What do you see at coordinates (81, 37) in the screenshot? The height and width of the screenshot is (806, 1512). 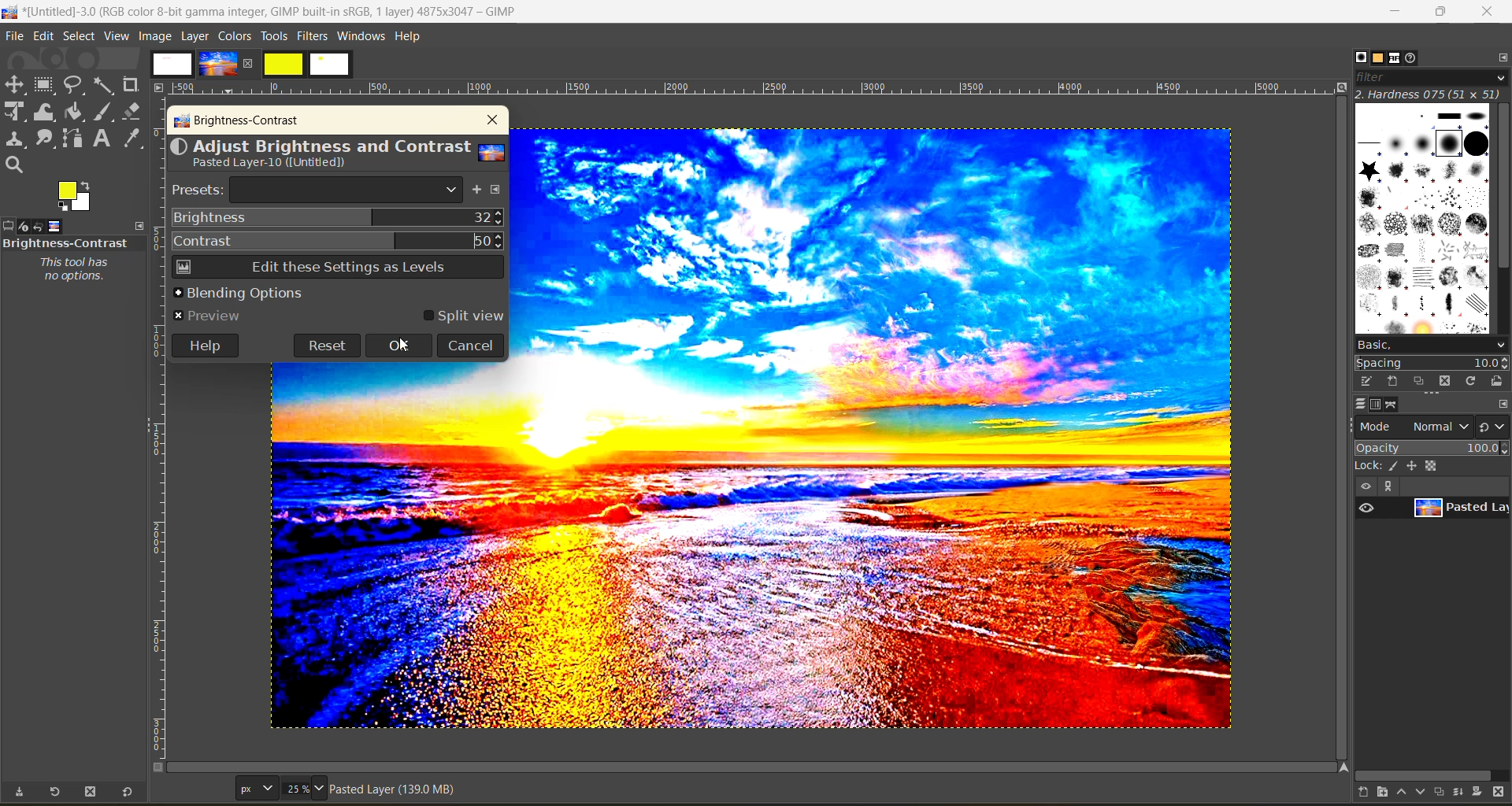 I see `select` at bounding box center [81, 37].